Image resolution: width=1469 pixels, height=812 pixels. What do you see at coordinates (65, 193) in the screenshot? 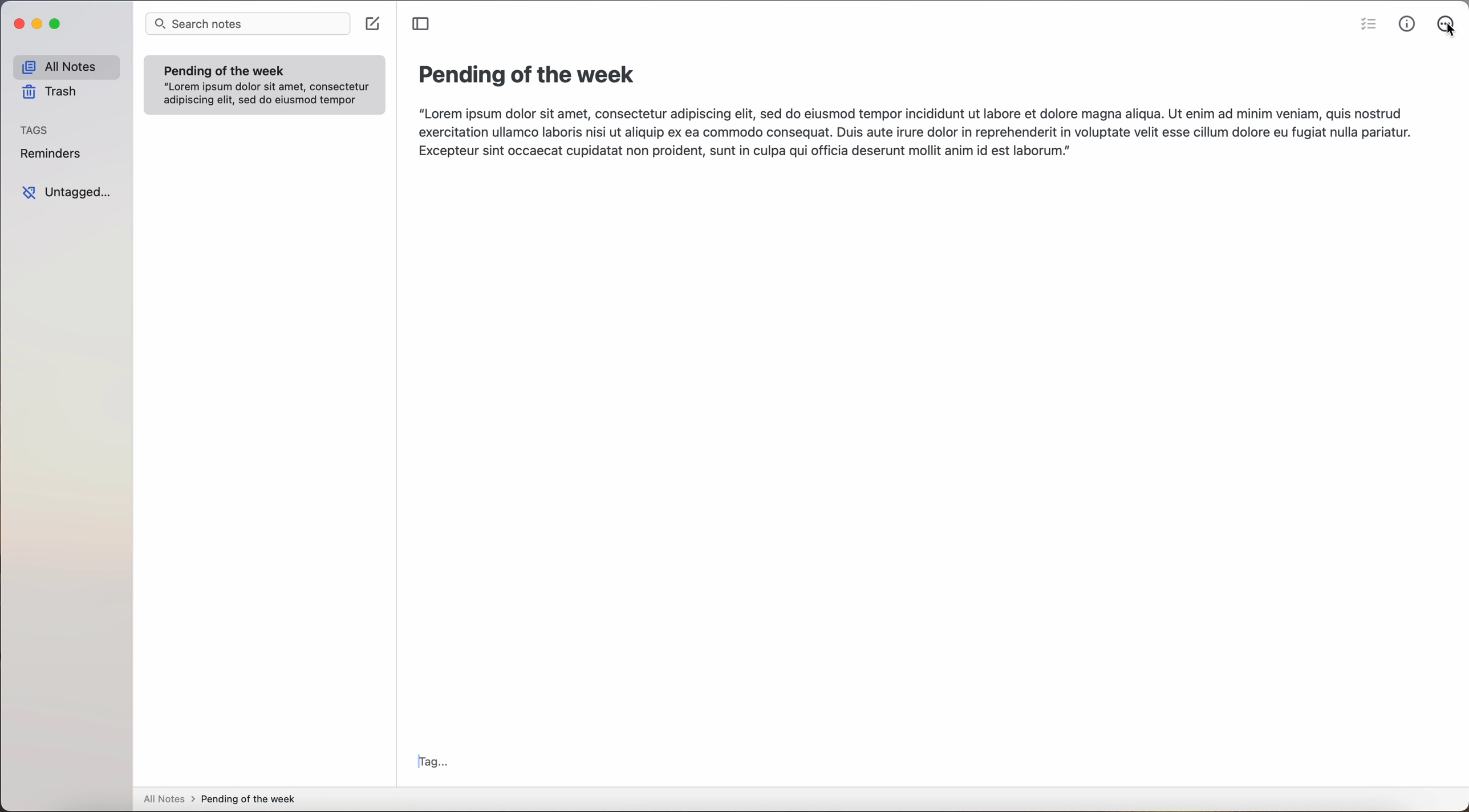
I see `untagged` at bounding box center [65, 193].